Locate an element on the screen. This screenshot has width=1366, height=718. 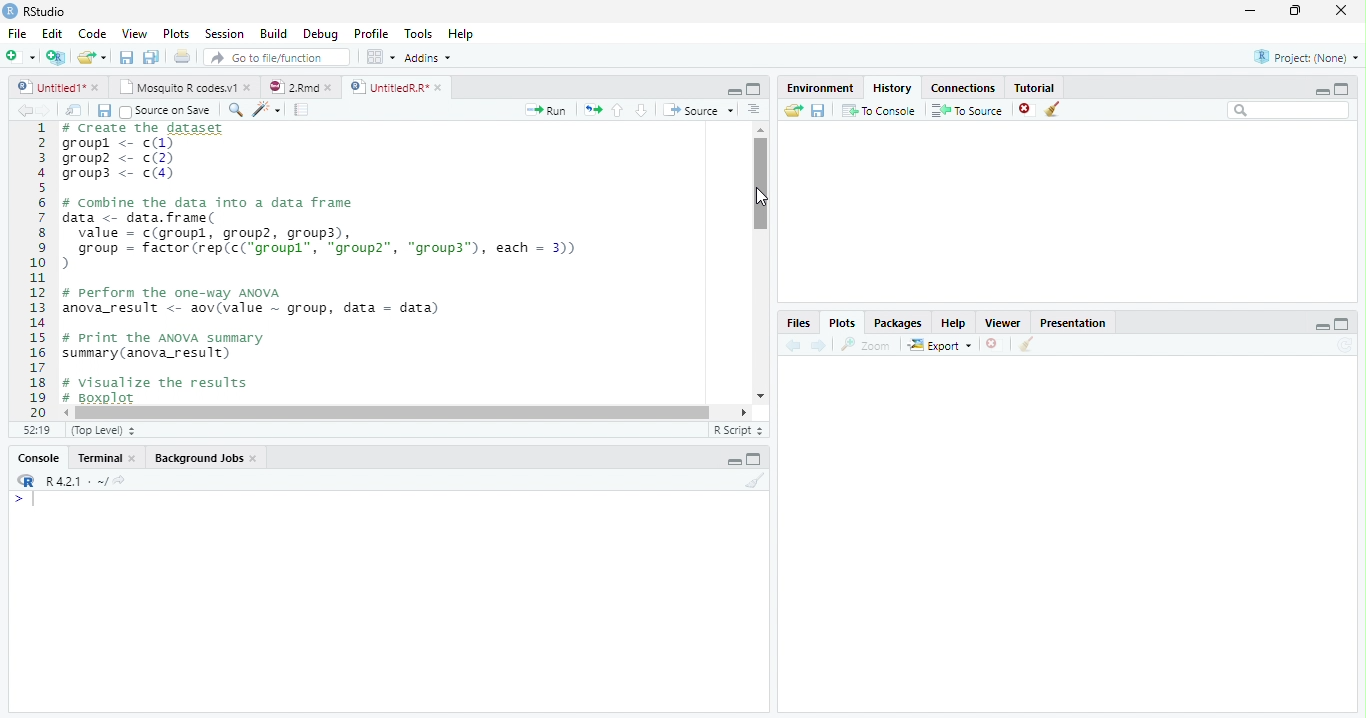
Back  is located at coordinates (26, 111).